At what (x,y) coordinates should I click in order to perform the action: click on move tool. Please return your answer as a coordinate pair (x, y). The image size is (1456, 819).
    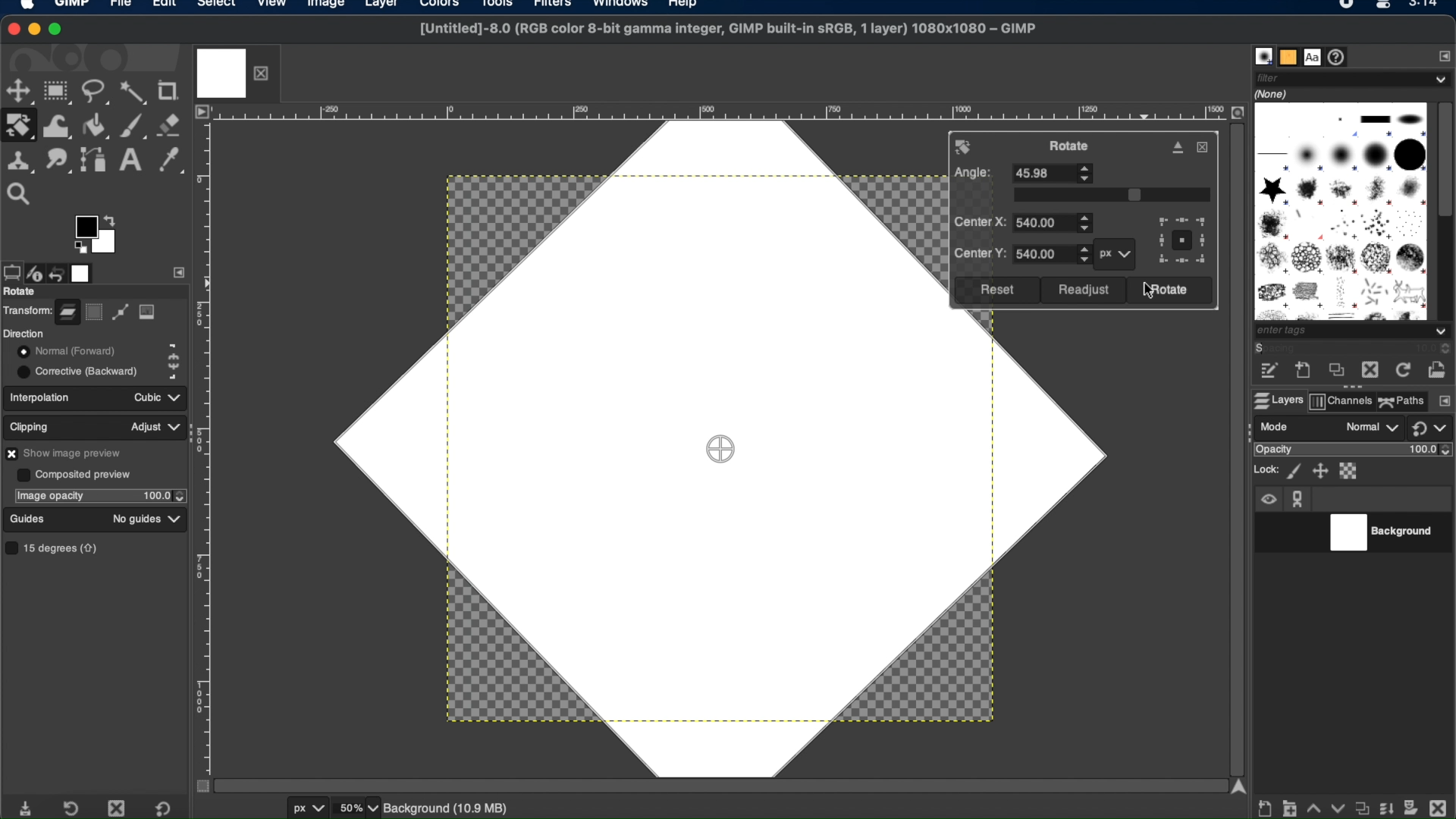
    Looking at the image, I should click on (19, 91).